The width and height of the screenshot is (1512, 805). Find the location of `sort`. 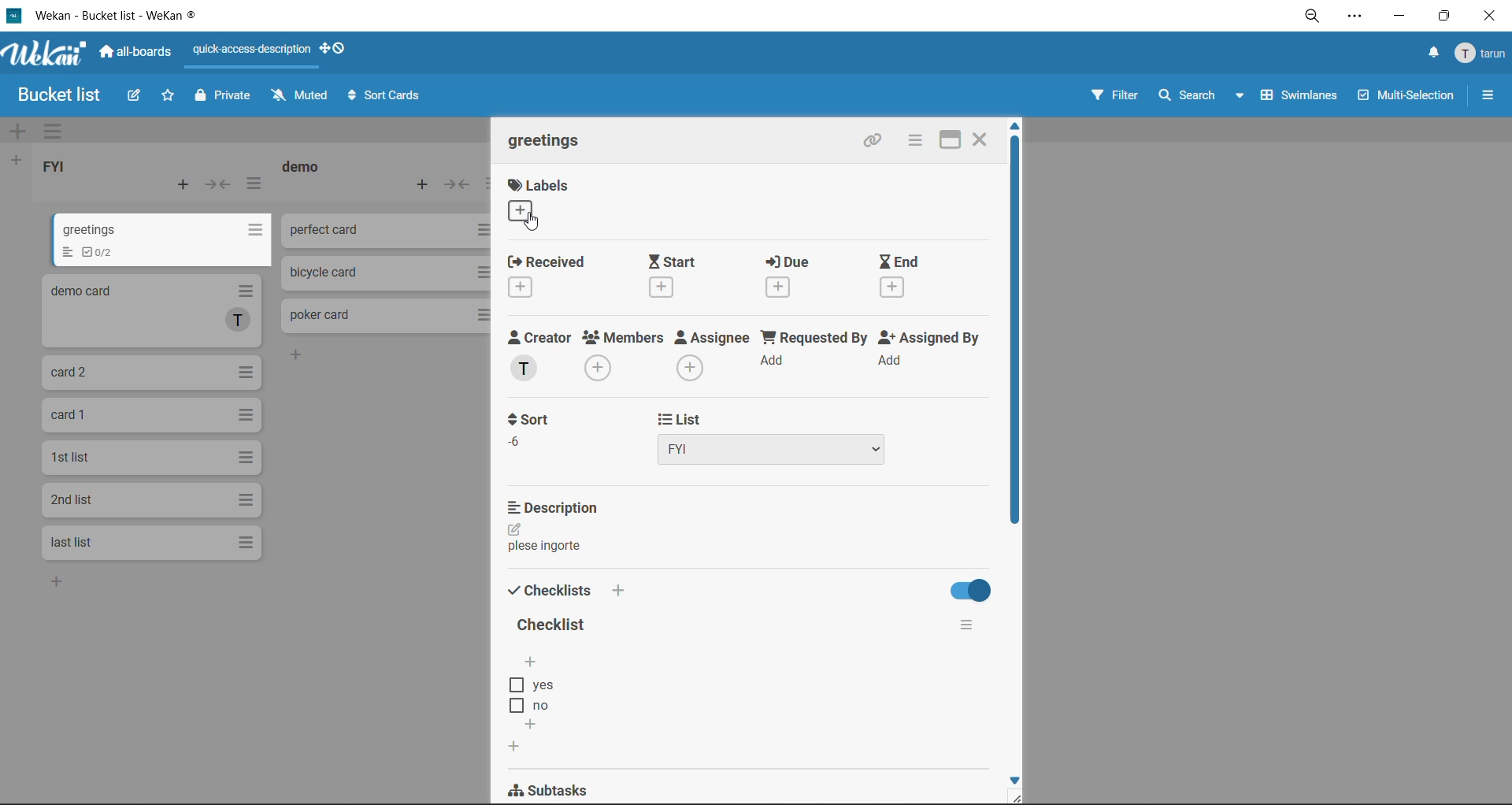

sort is located at coordinates (528, 434).